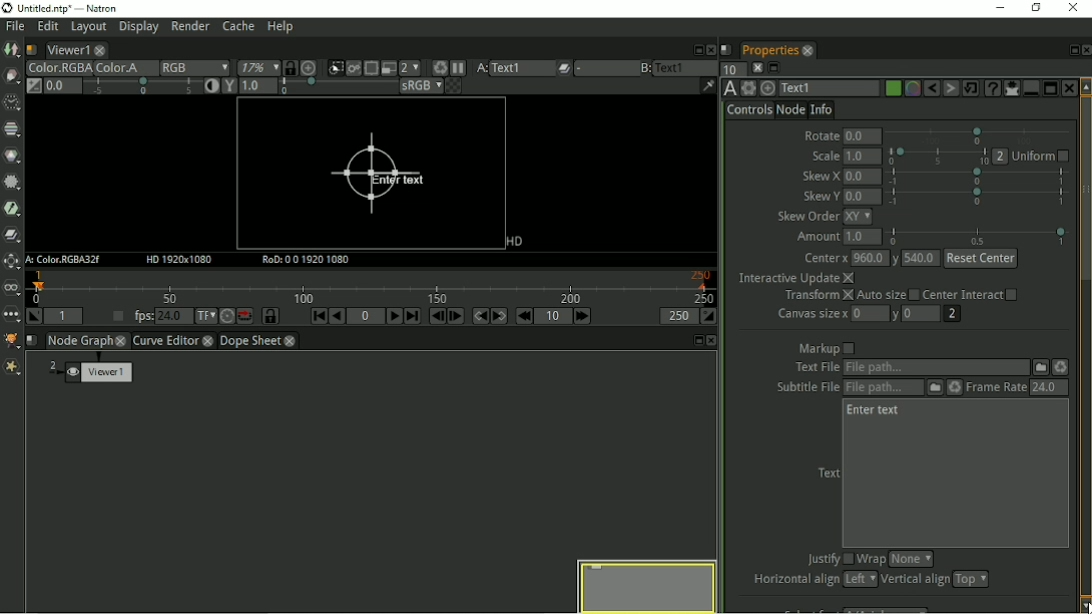  Describe the element at coordinates (194, 68) in the screenshot. I see `RGB` at that location.